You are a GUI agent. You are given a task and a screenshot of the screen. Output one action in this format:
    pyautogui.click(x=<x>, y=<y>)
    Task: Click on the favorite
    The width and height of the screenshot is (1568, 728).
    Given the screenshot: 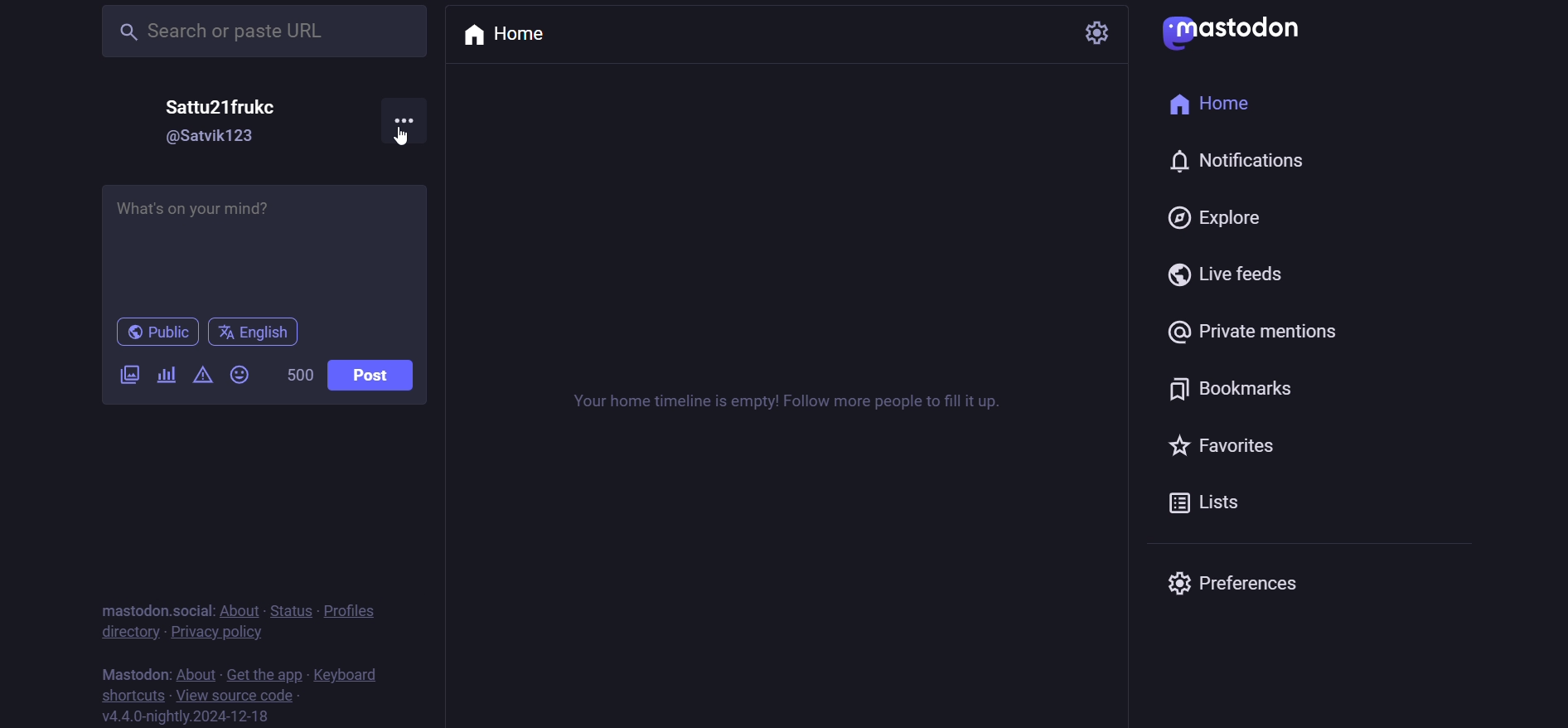 What is the action you would take?
    pyautogui.click(x=1221, y=443)
    